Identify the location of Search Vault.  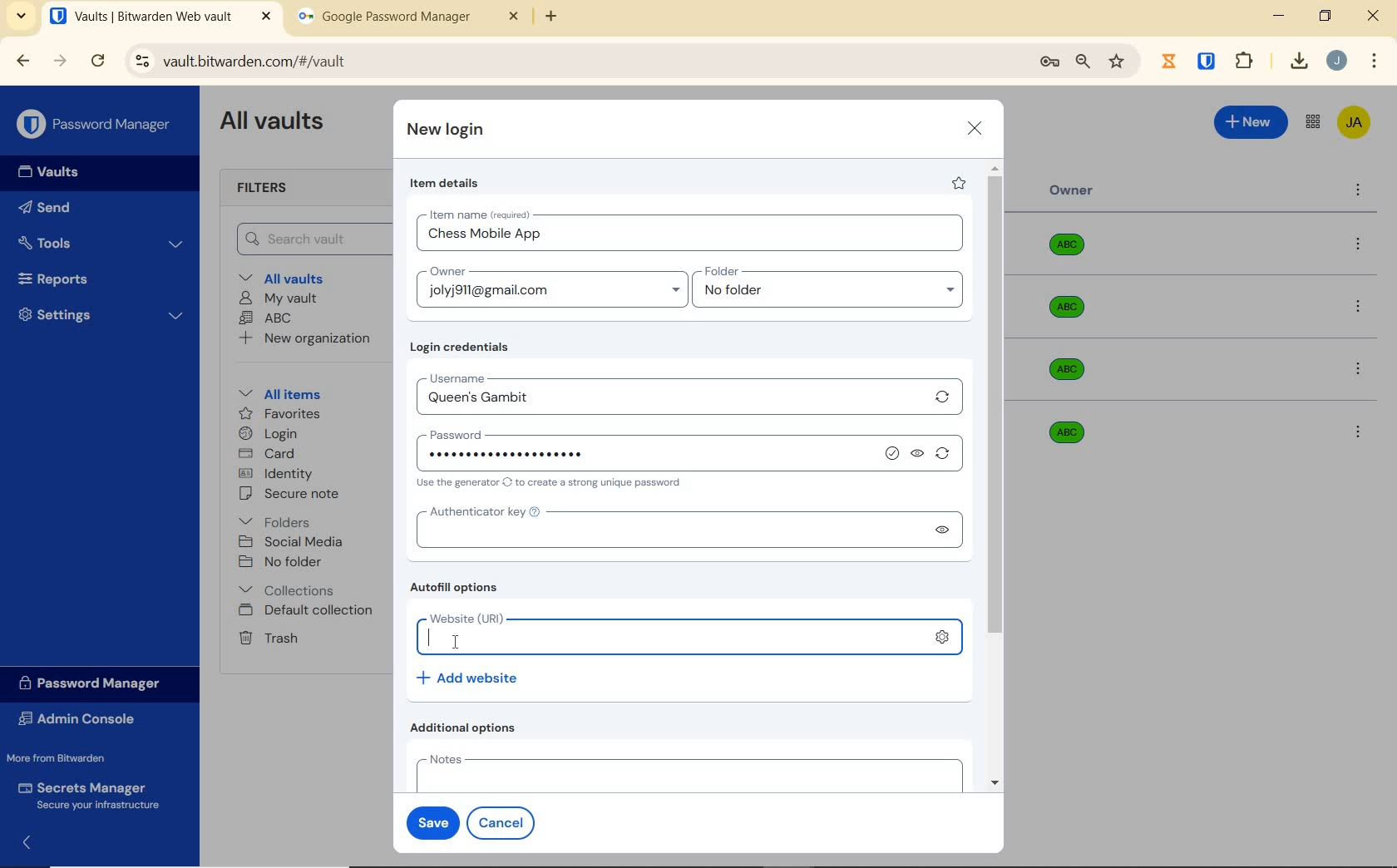
(309, 239).